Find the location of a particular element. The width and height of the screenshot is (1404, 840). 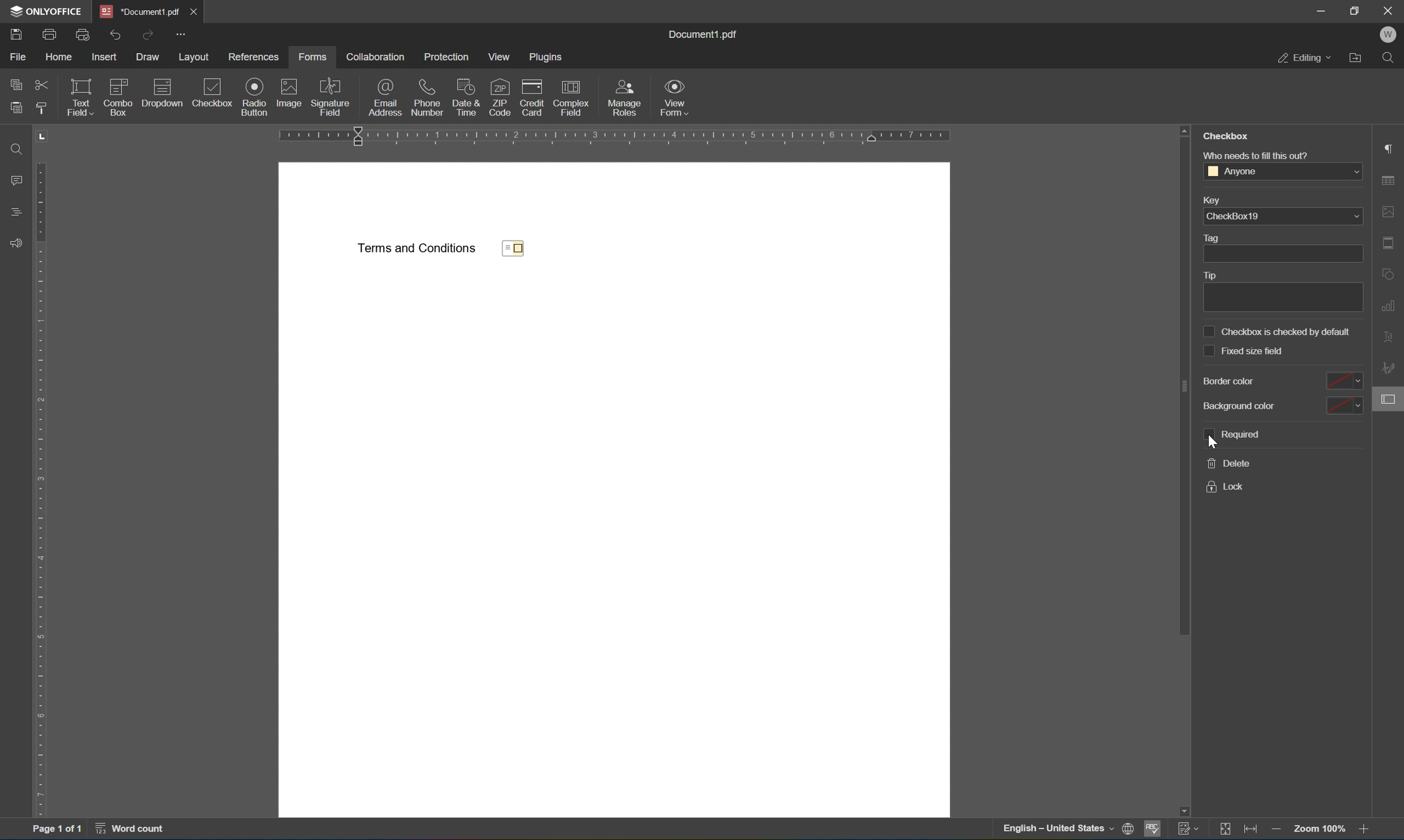

Terms and conditions is located at coordinates (417, 248).